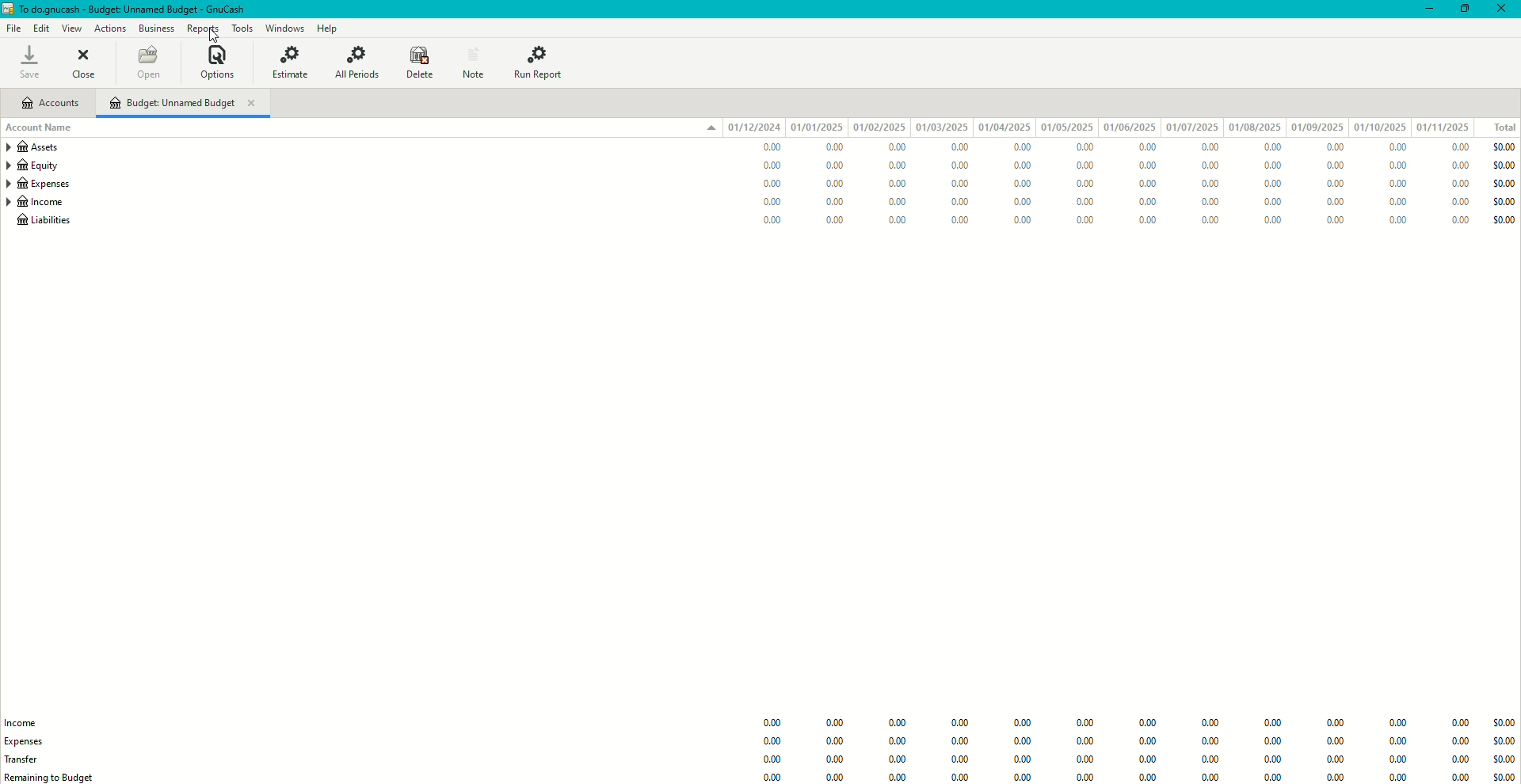 The width and height of the screenshot is (1521, 784). What do you see at coordinates (1459, 203) in the screenshot?
I see `0.00` at bounding box center [1459, 203].